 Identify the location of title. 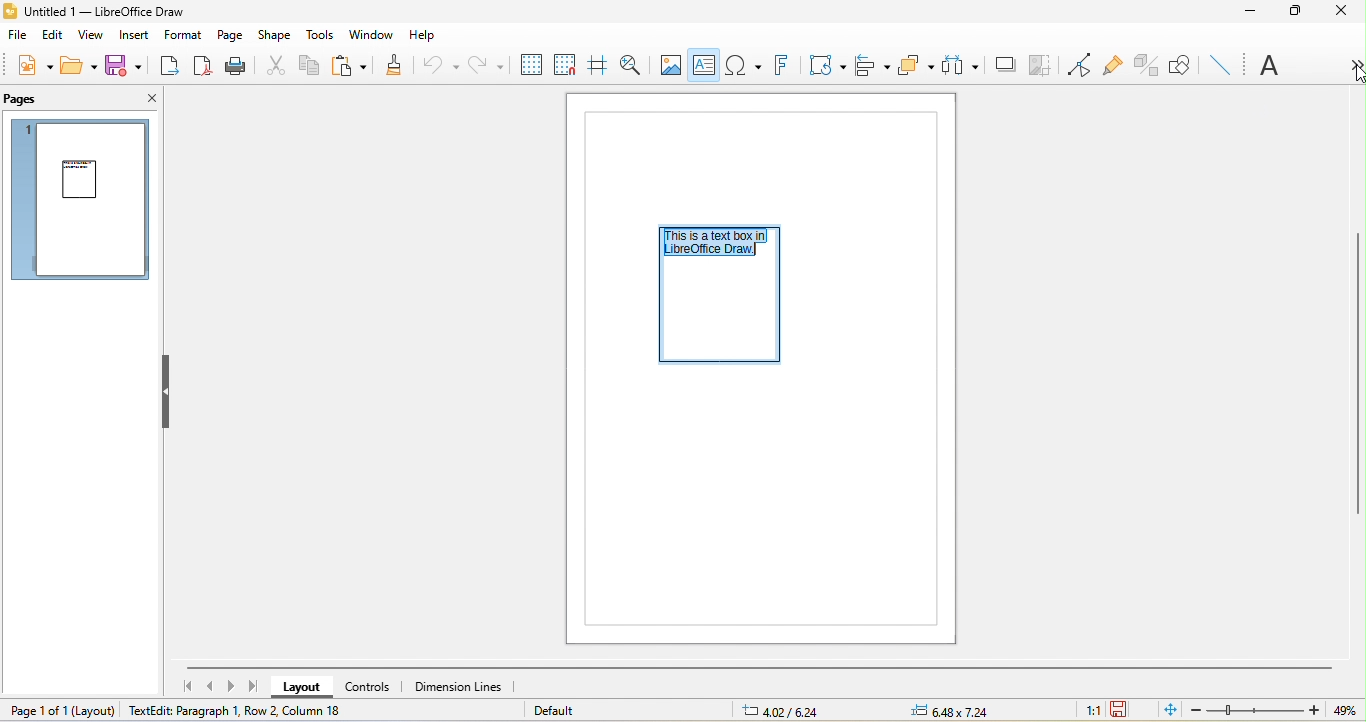
(107, 12).